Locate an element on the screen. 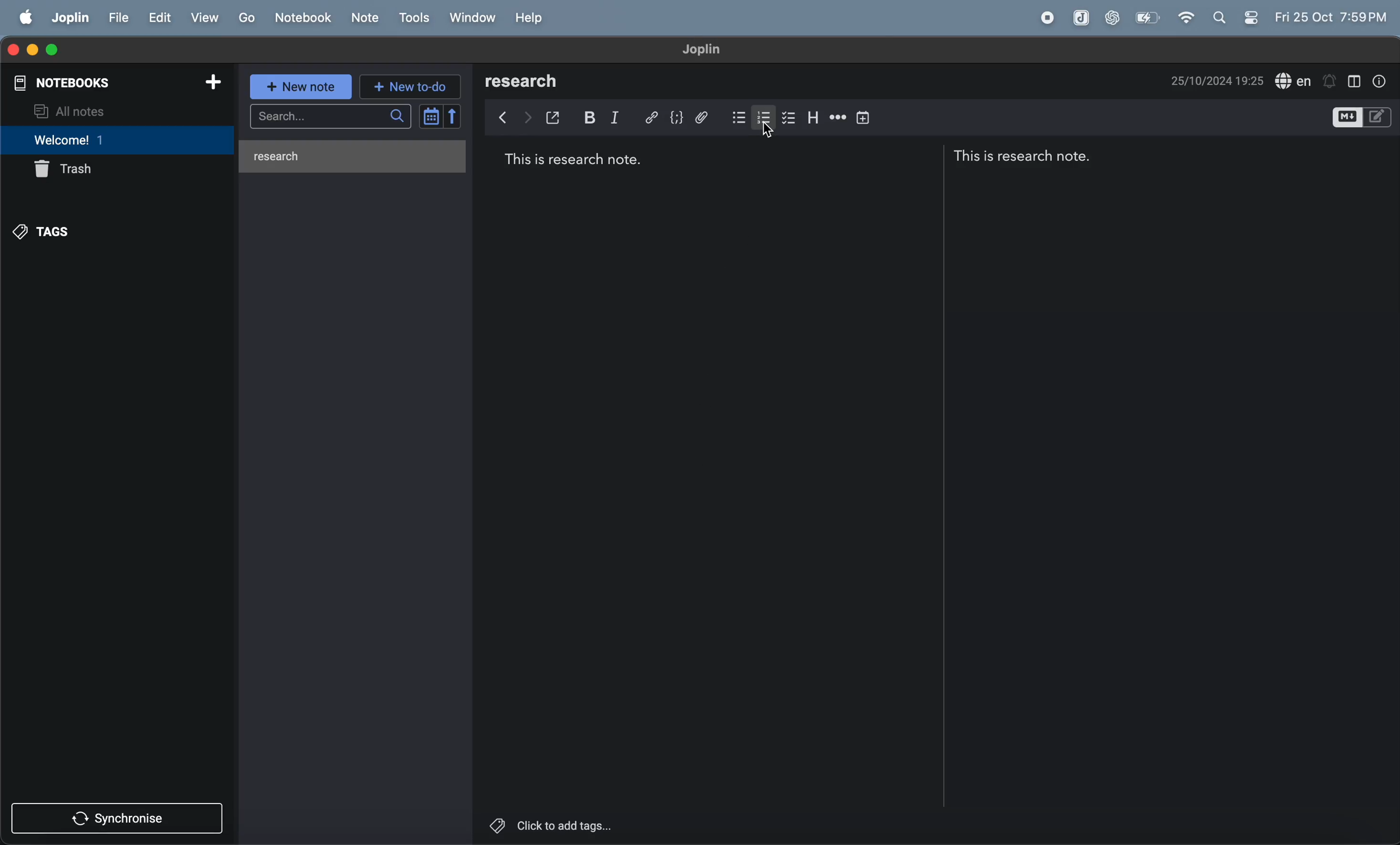  calendar is located at coordinates (441, 116).